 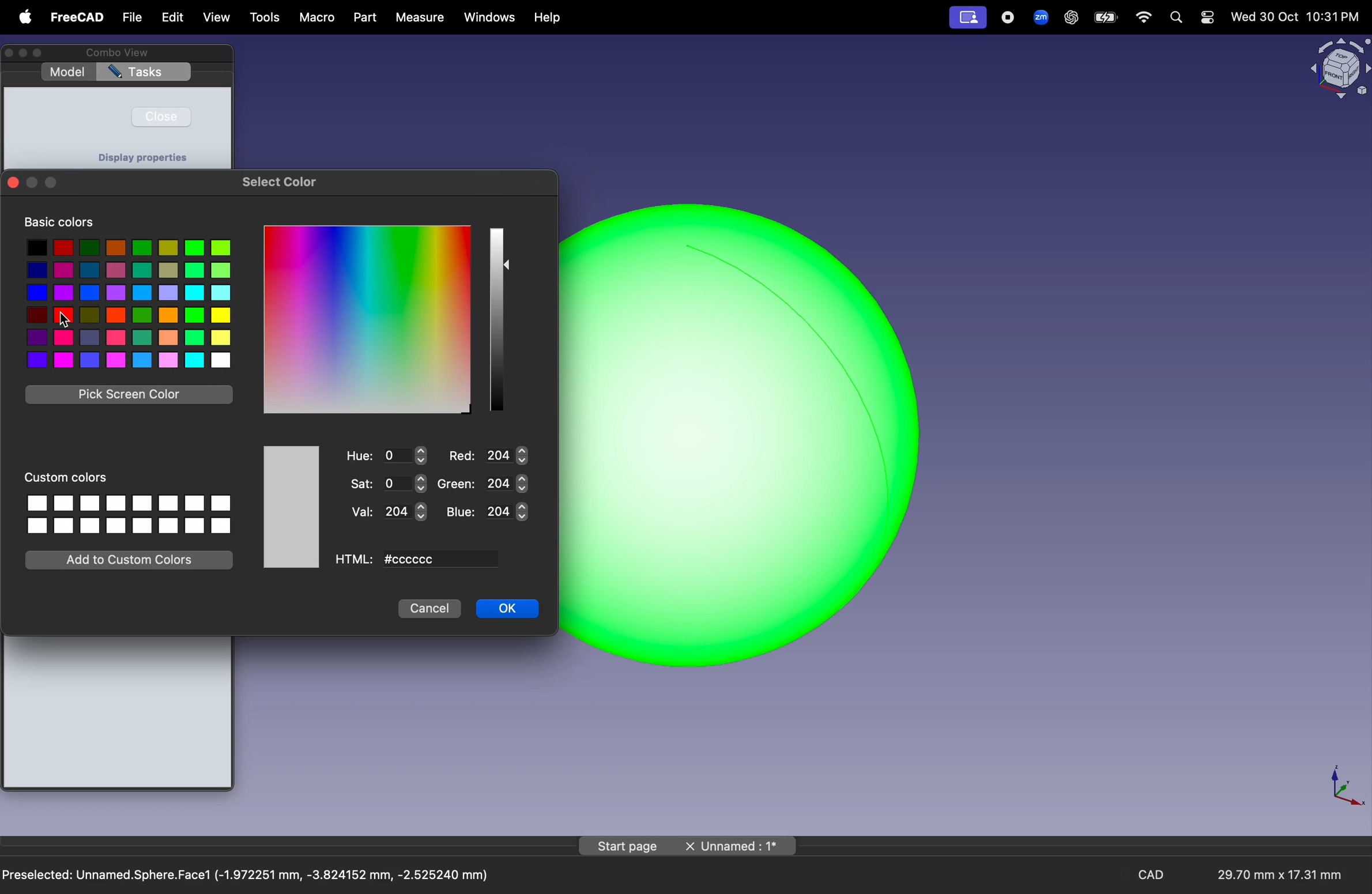 I want to click on 29.70 mm x 17.31 mm, so click(x=1270, y=876).